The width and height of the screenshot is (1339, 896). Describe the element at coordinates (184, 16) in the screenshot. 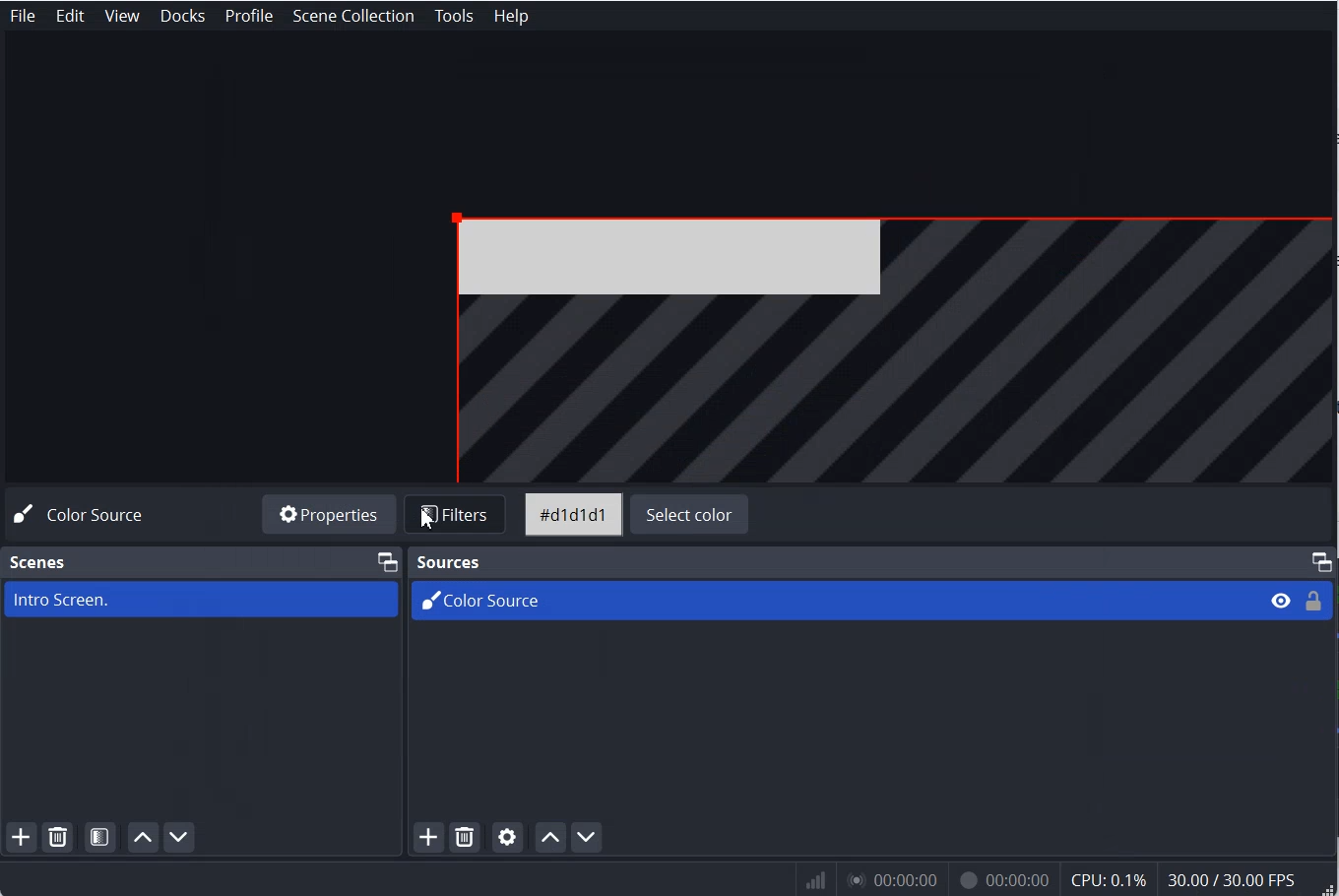

I see `Docks` at that location.